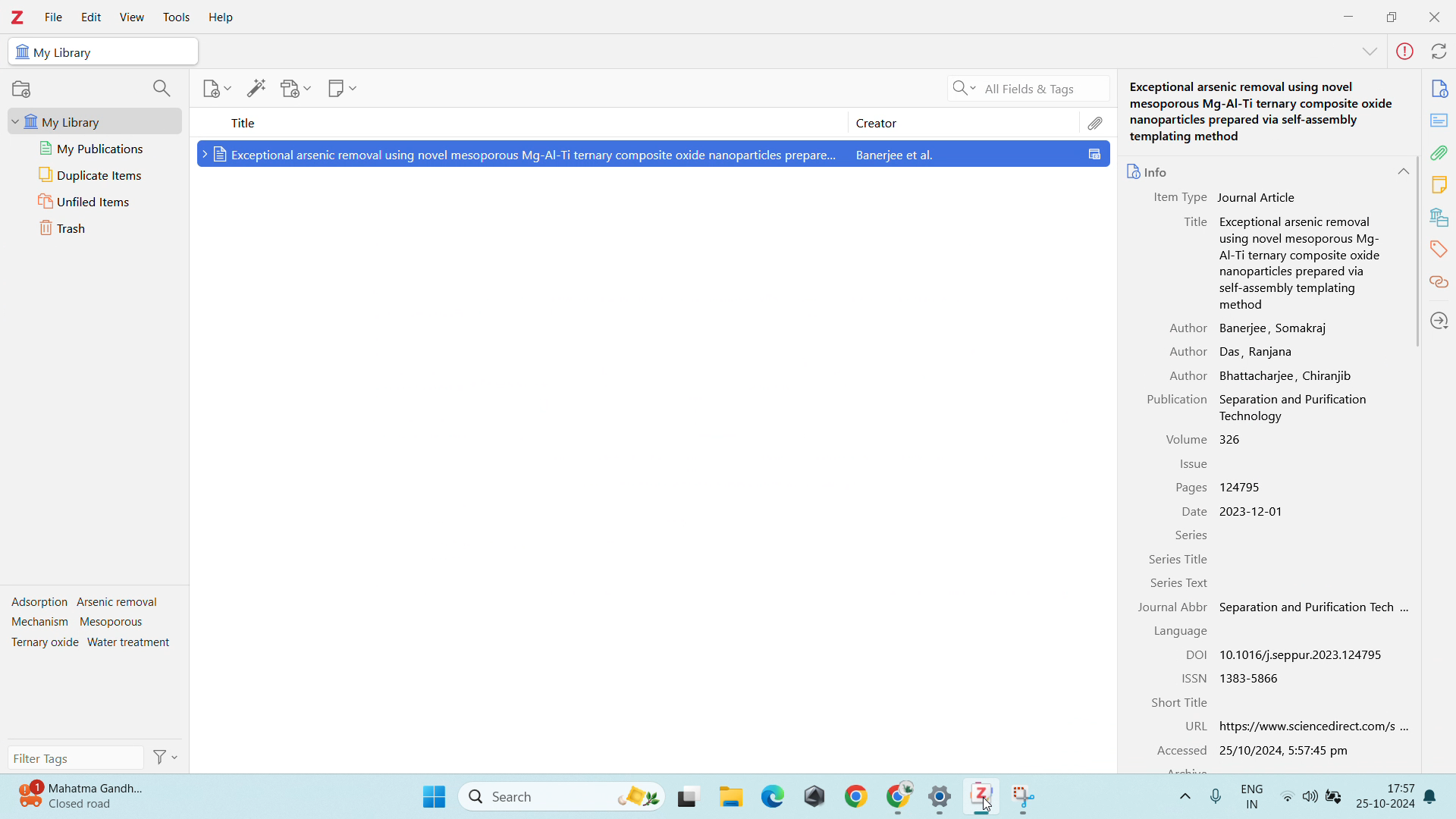  Describe the element at coordinates (342, 88) in the screenshot. I see `add notes` at that location.